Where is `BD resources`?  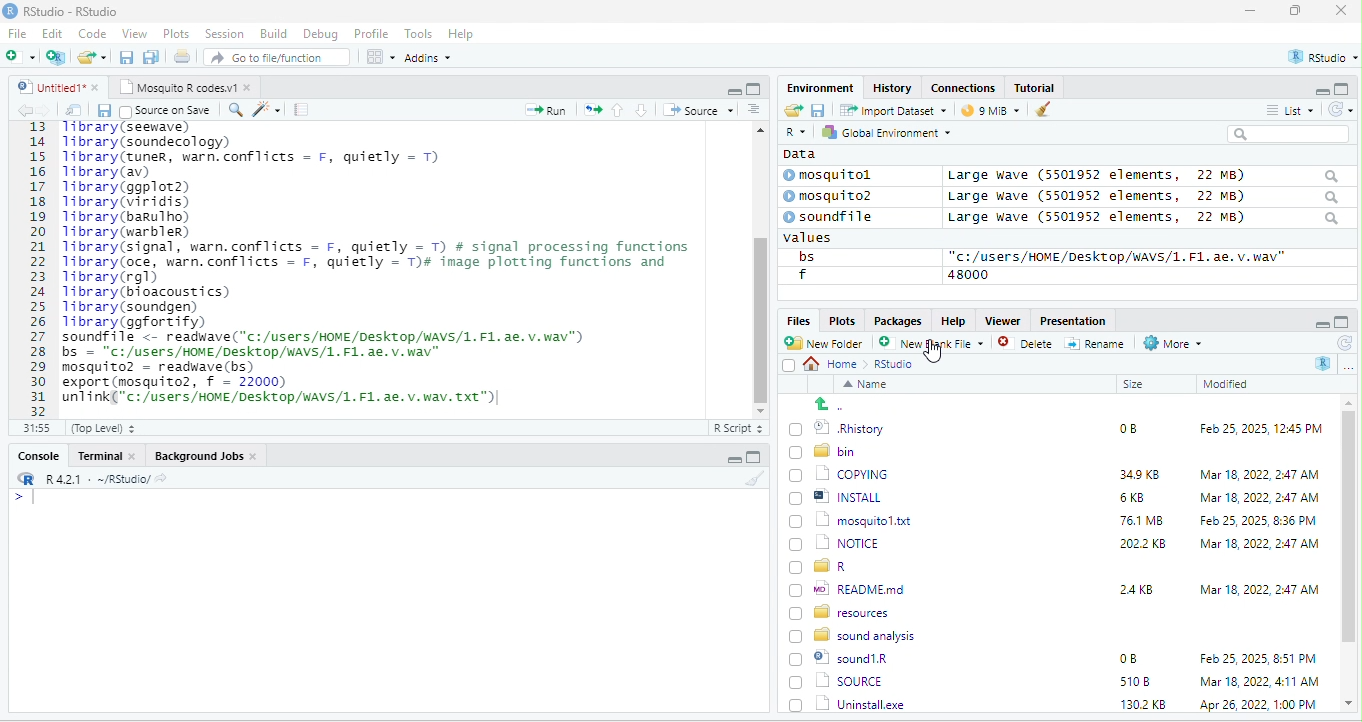 BD resources is located at coordinates (843, 610).